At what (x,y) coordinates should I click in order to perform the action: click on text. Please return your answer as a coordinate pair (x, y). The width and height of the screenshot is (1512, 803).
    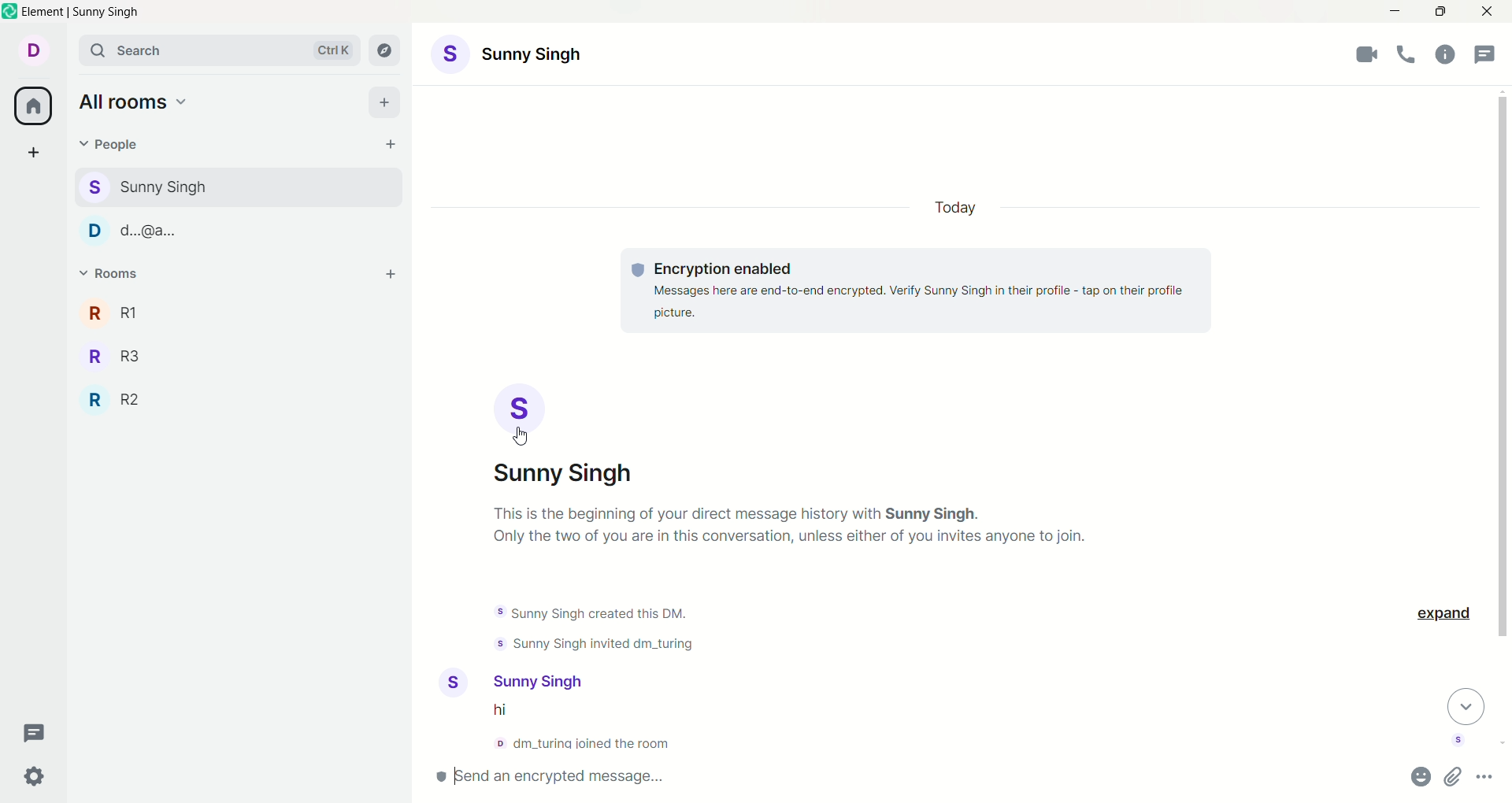
    Looking at the image, I should click on (802, 533).